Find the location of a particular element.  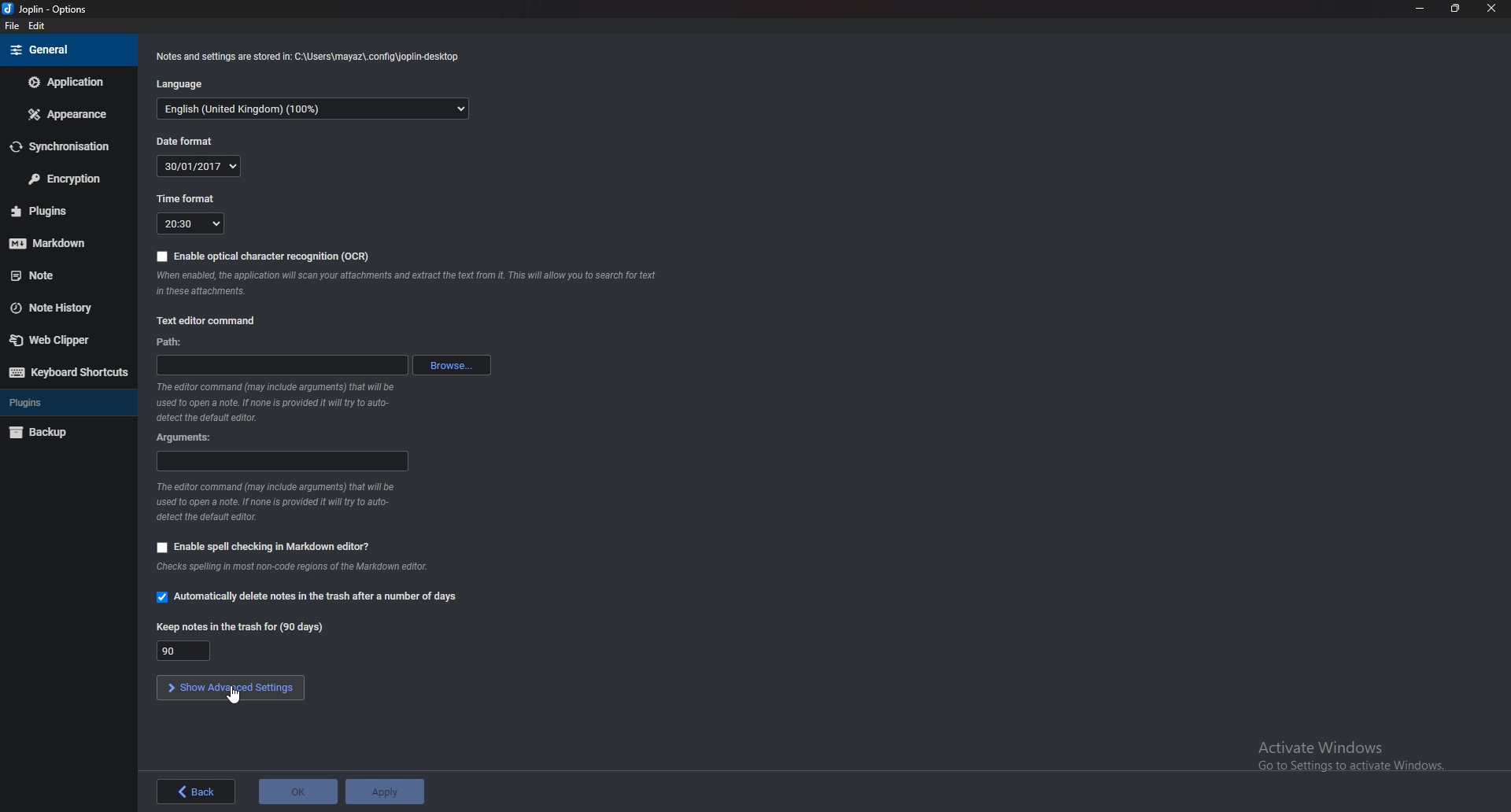

show Advanced settings is located at coordinates (232, 687).